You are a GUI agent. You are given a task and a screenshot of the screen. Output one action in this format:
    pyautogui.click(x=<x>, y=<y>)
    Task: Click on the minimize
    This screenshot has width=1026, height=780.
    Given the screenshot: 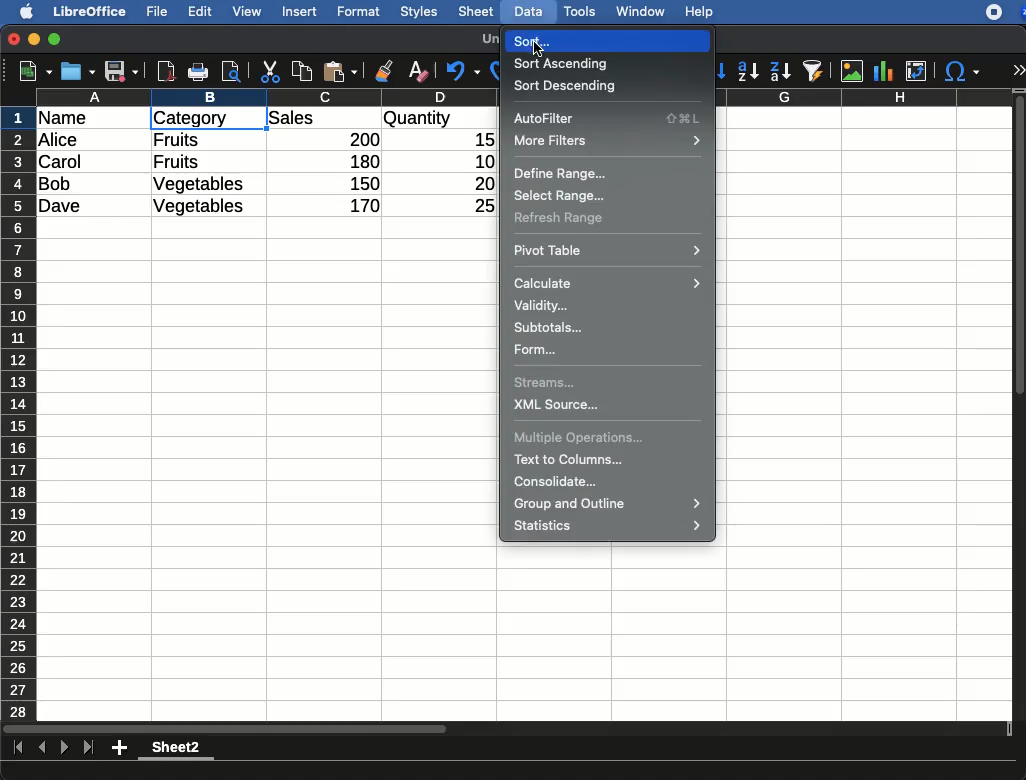 What is the action you would take?
    pyautogui.click(x=35, y=39)
    